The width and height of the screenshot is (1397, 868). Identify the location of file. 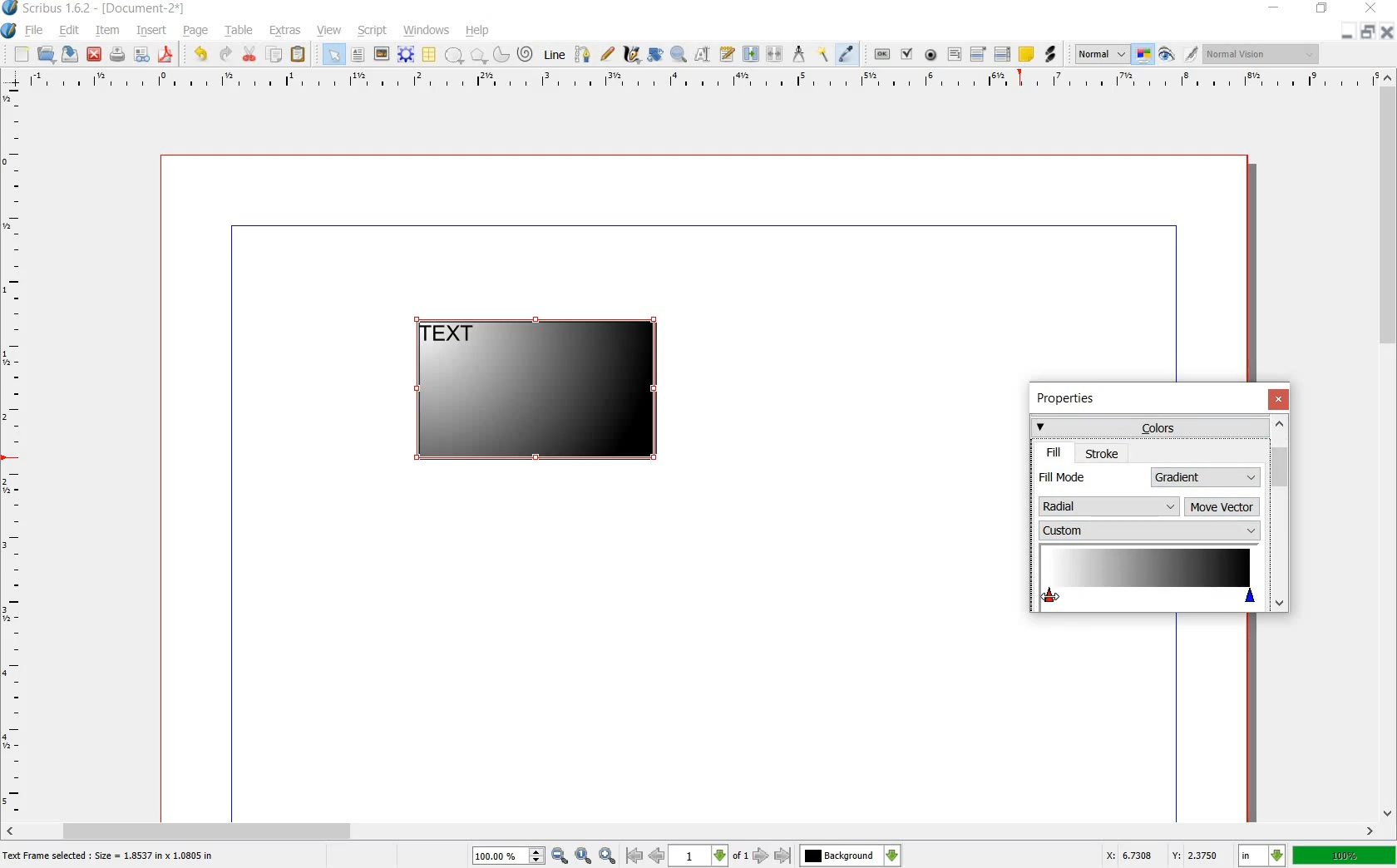
(37, 31).